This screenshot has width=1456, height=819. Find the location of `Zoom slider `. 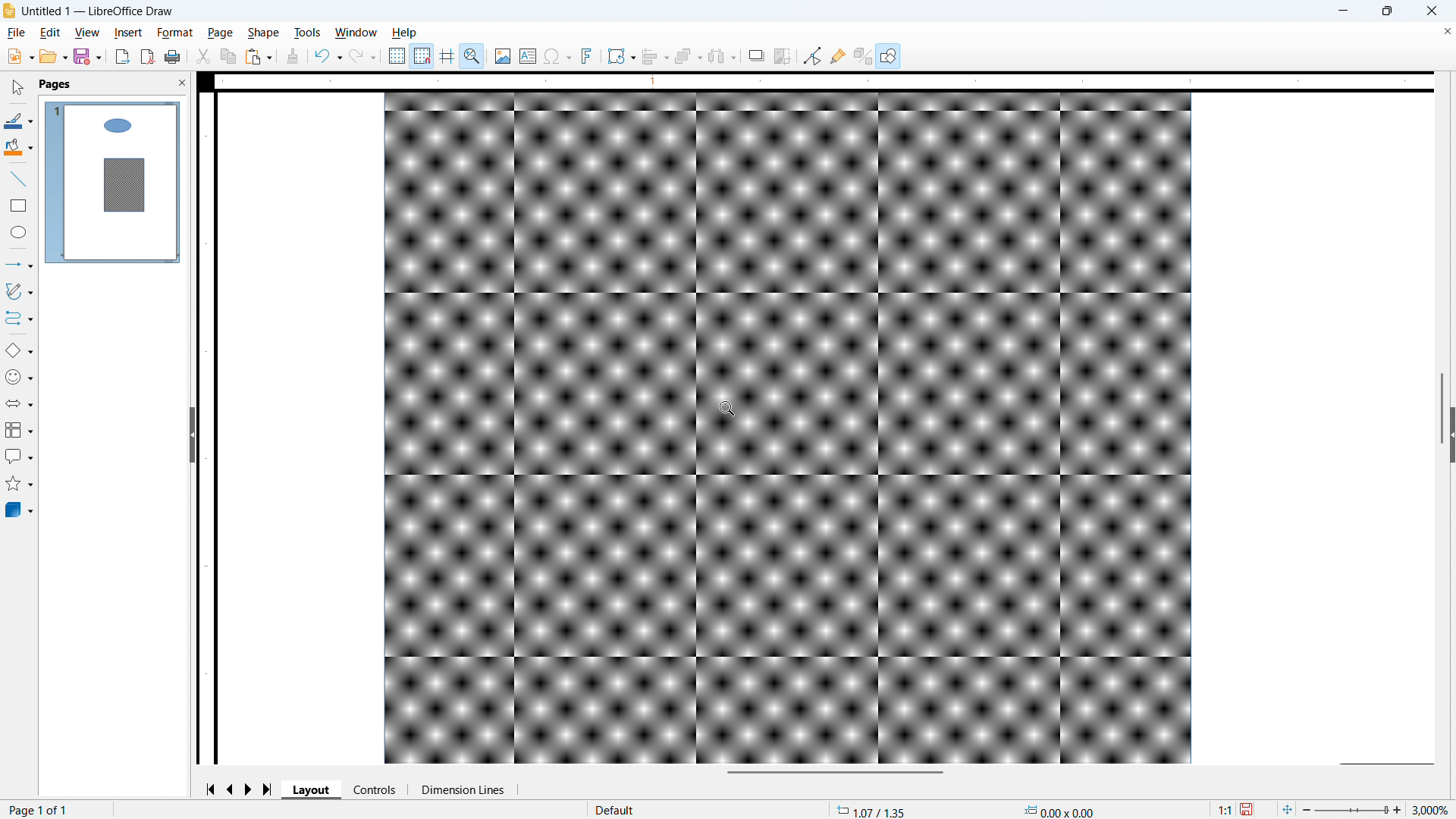

Zoom slider  is located at coordinates (1354, 811).